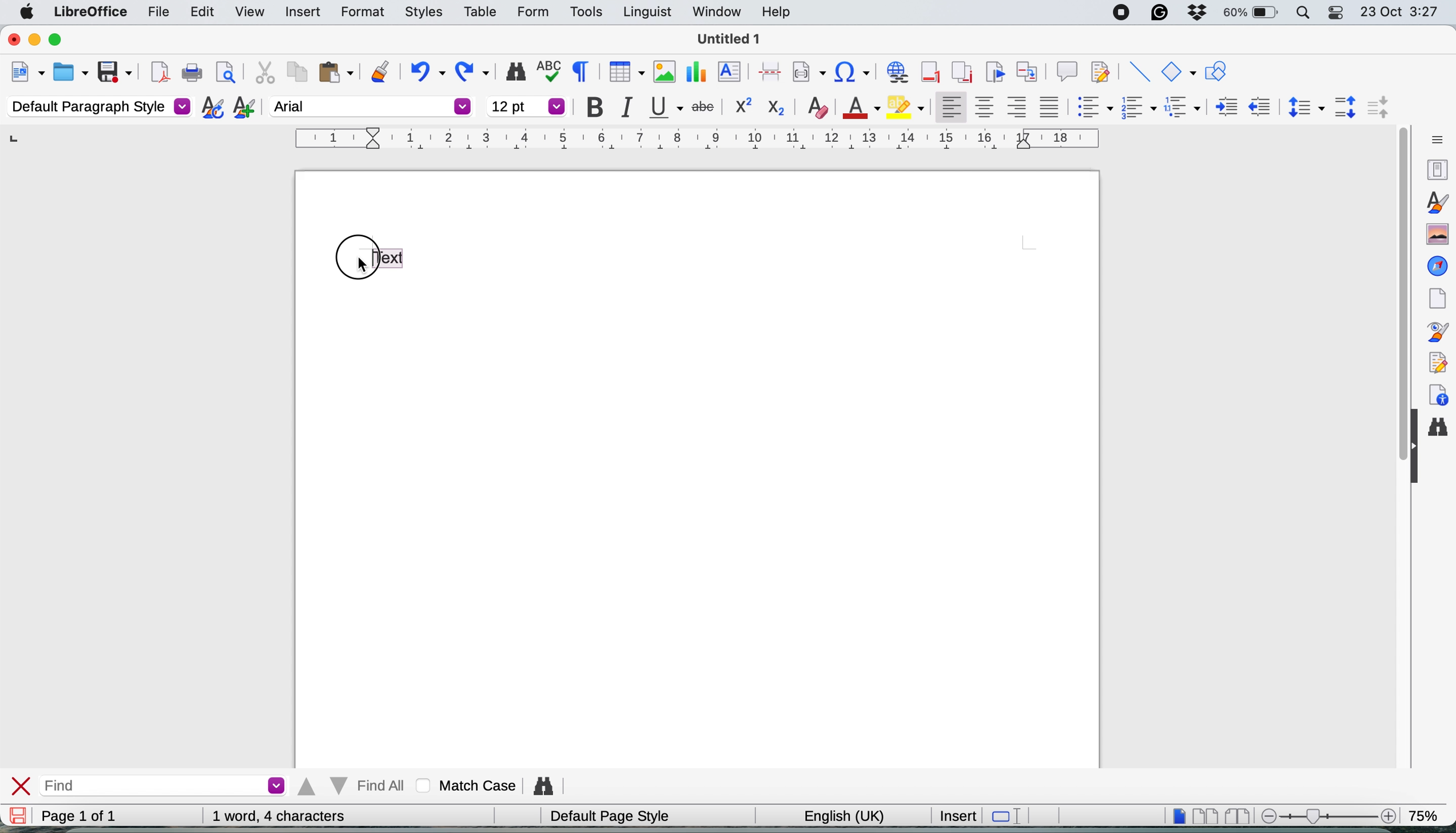 Image resolution: width=1456 pixels, height=833 pixels. What do you see at coordinates (586, 13) in the screenshot?
I see `tools` at bounding box center [586, 13].